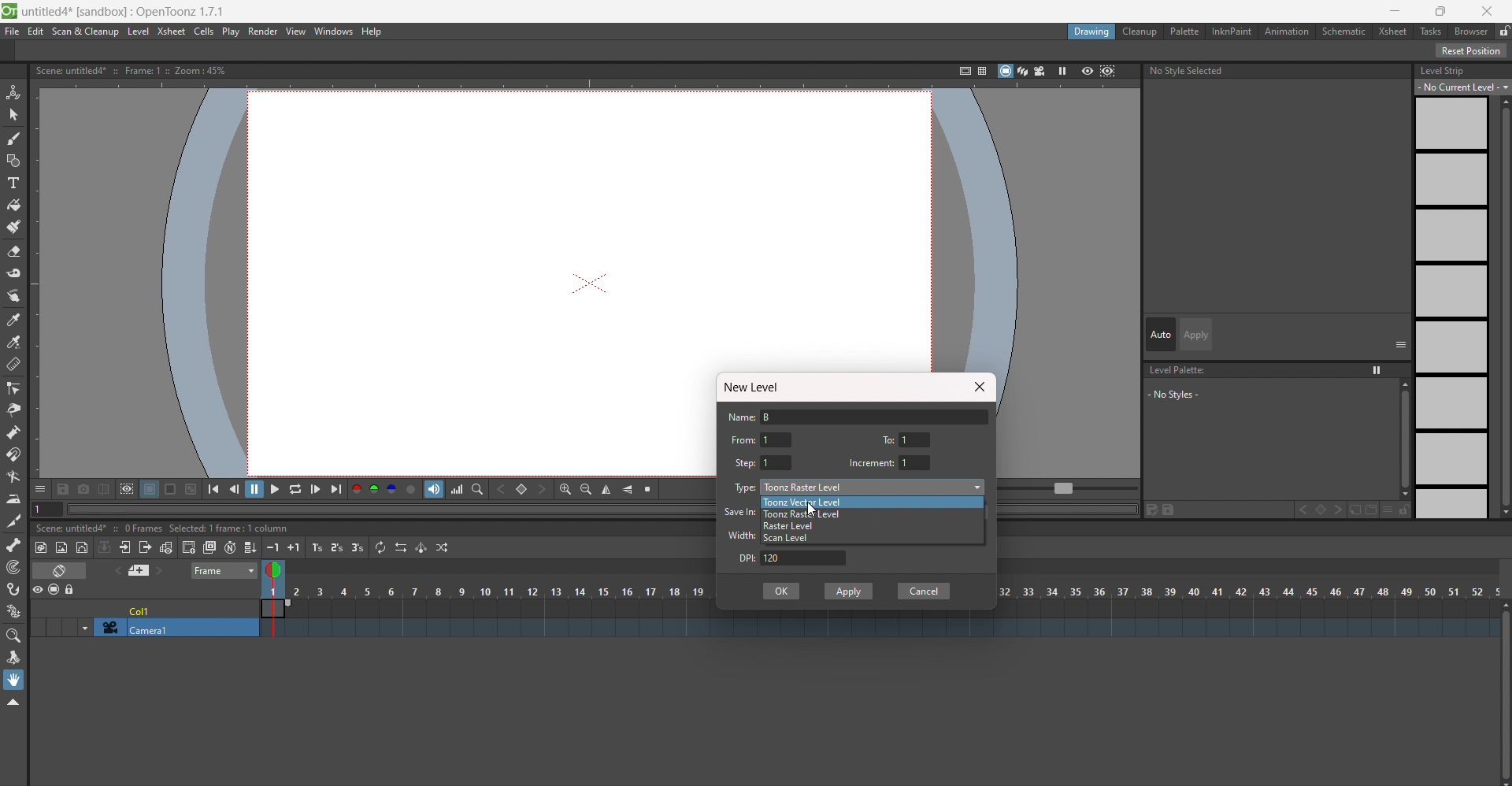  What do you see at coordinates (13, 569) in the screenshot?
I see `tracker tool` at bounding box center [13, 569].